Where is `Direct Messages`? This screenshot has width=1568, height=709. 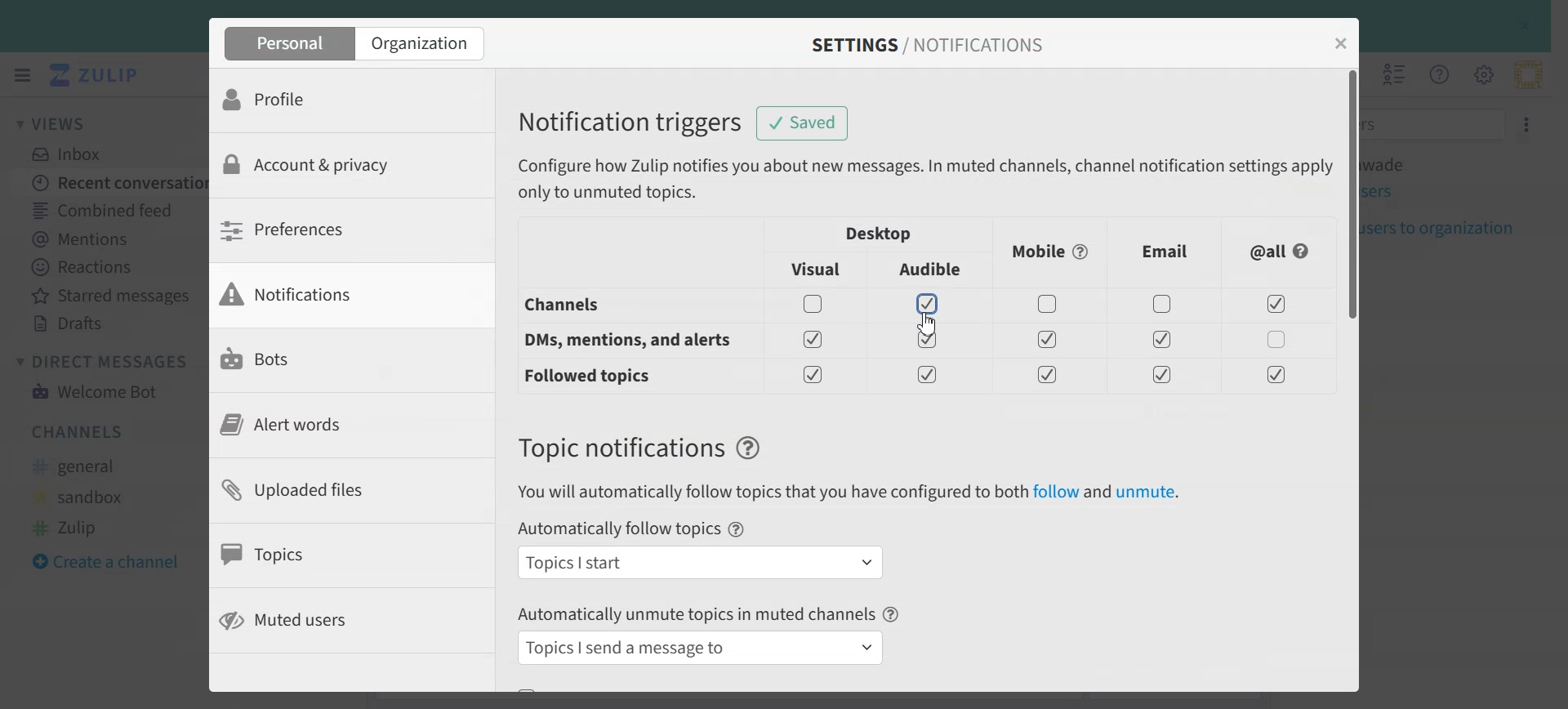 Direct Messages is located at coordinates (107, 361).